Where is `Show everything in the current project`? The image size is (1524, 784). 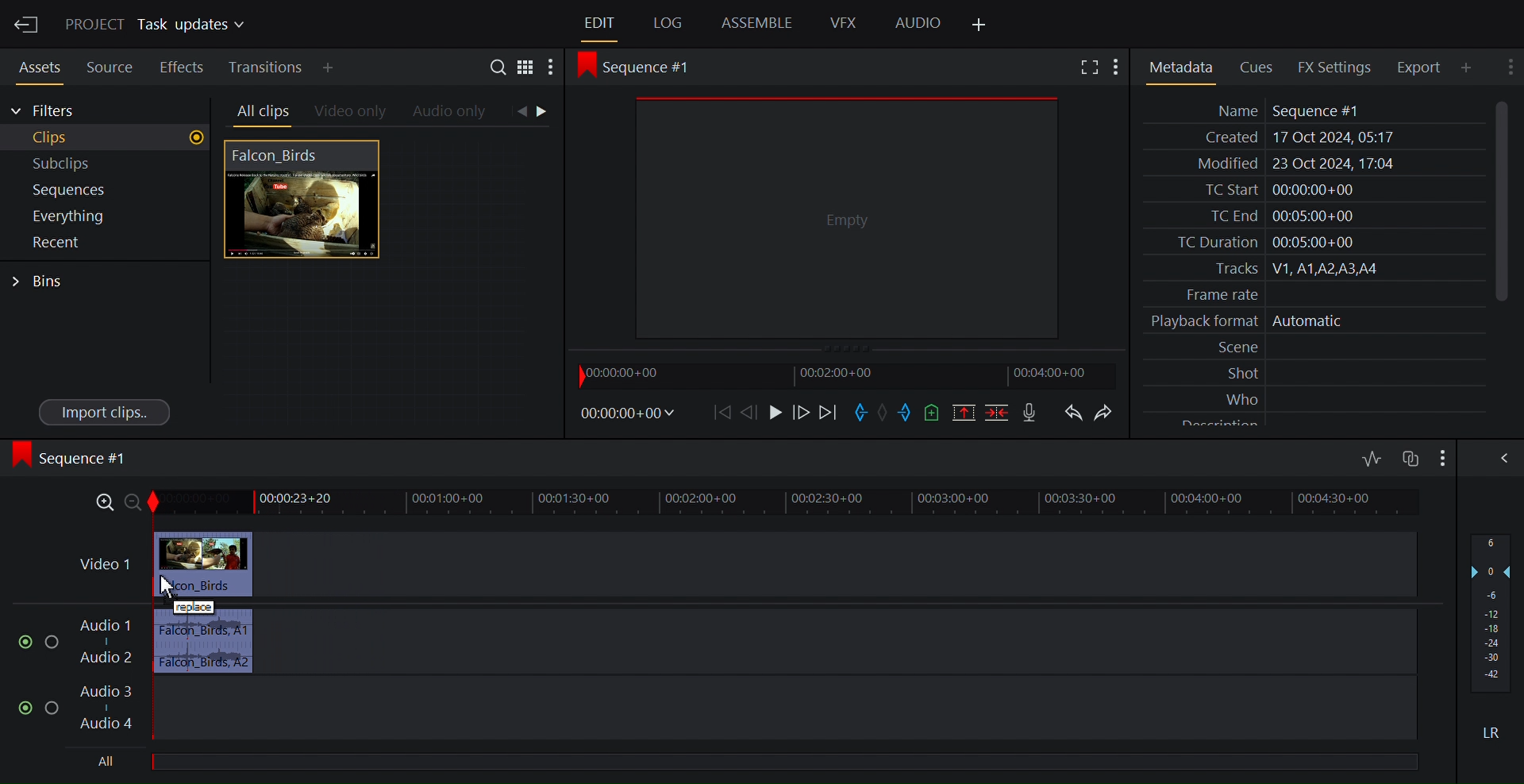
Show everything in the current project is located at coordinates (103, 216).